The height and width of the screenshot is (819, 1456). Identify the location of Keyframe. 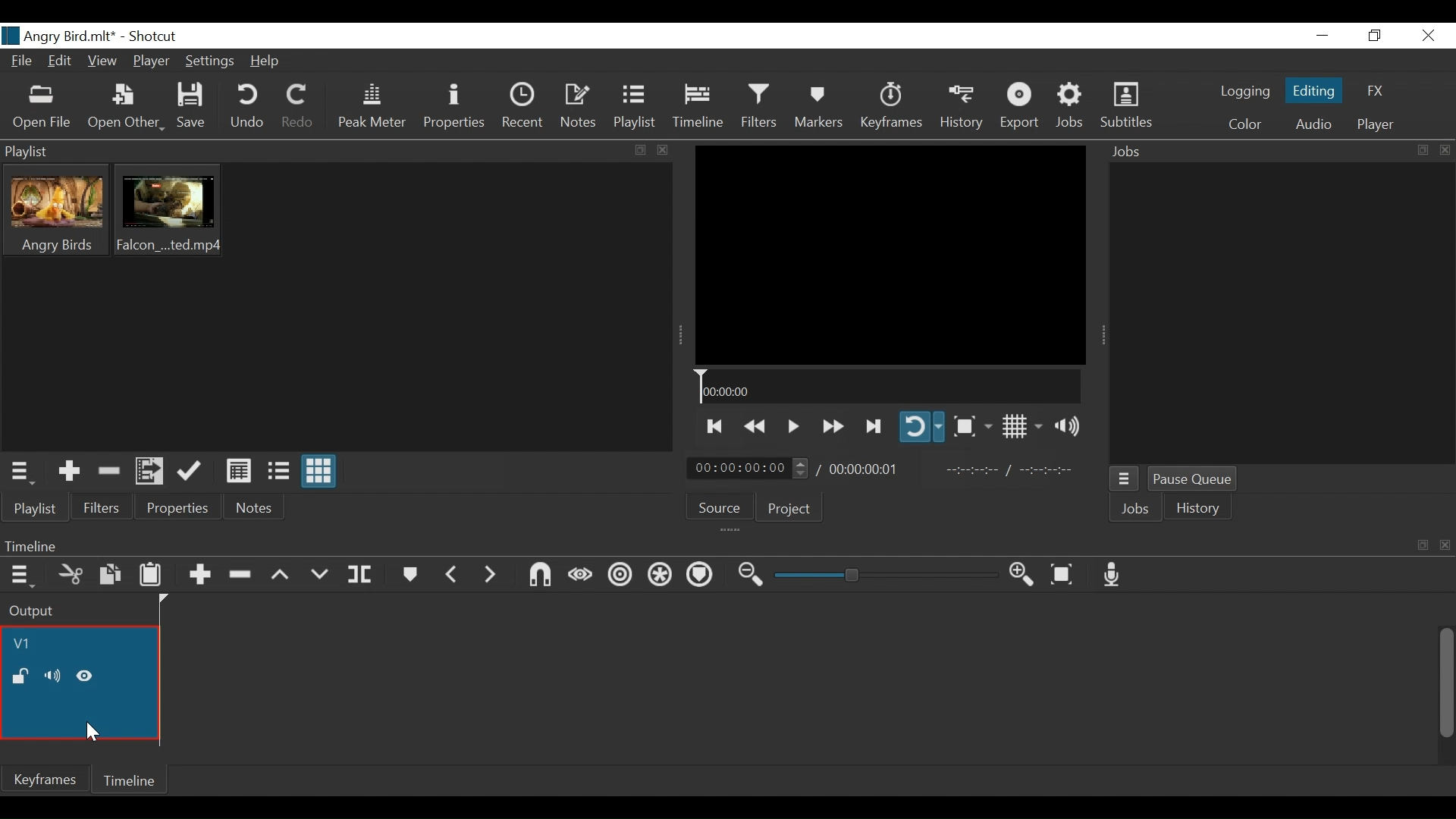
(890, 108).